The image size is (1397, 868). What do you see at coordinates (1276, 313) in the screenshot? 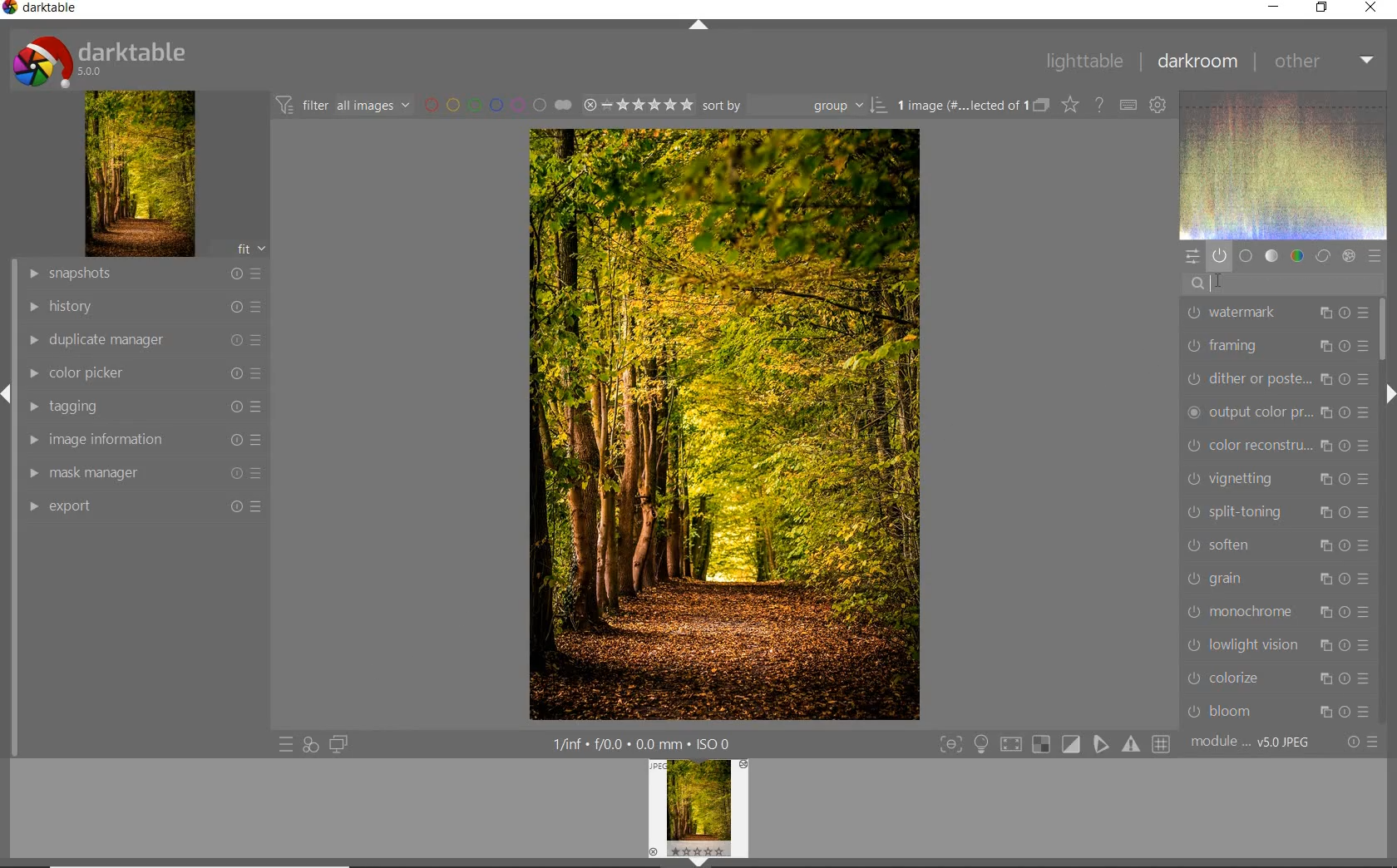
I see `watermark` at bounding box center [1276, 313].